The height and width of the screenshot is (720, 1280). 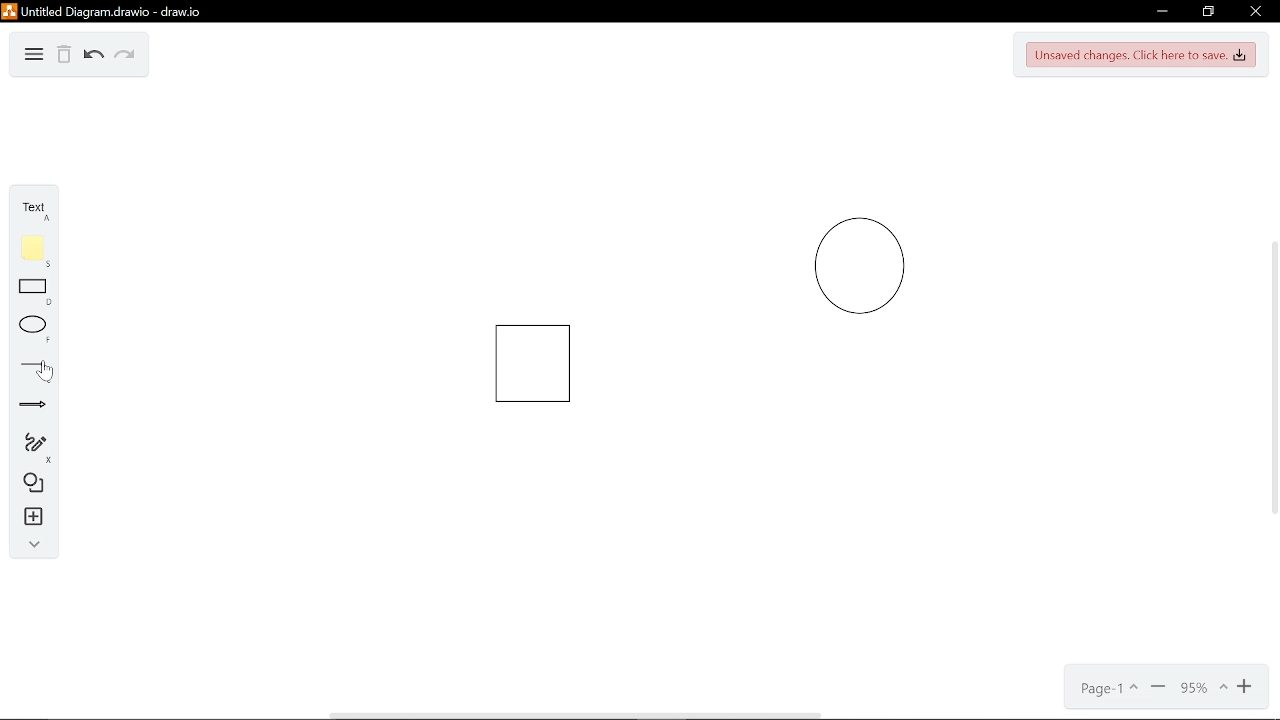 What do you see at coordinates (125, 56) in the screenshot?
I see `Redo` at bounding box center [125, 56].